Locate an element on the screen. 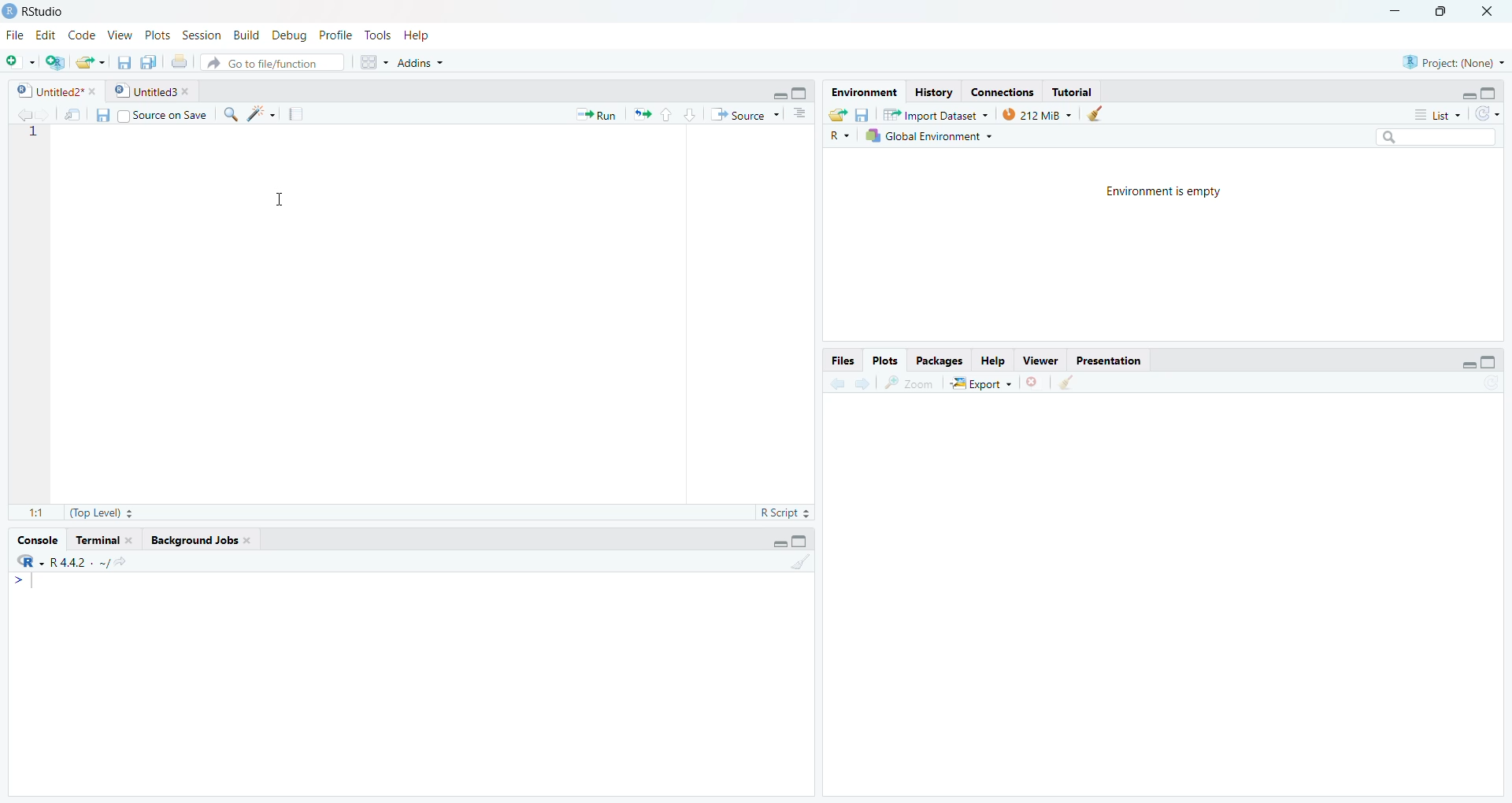 This screenshot has width=1512, height=803. redo is located at coordinates (1489, 115).